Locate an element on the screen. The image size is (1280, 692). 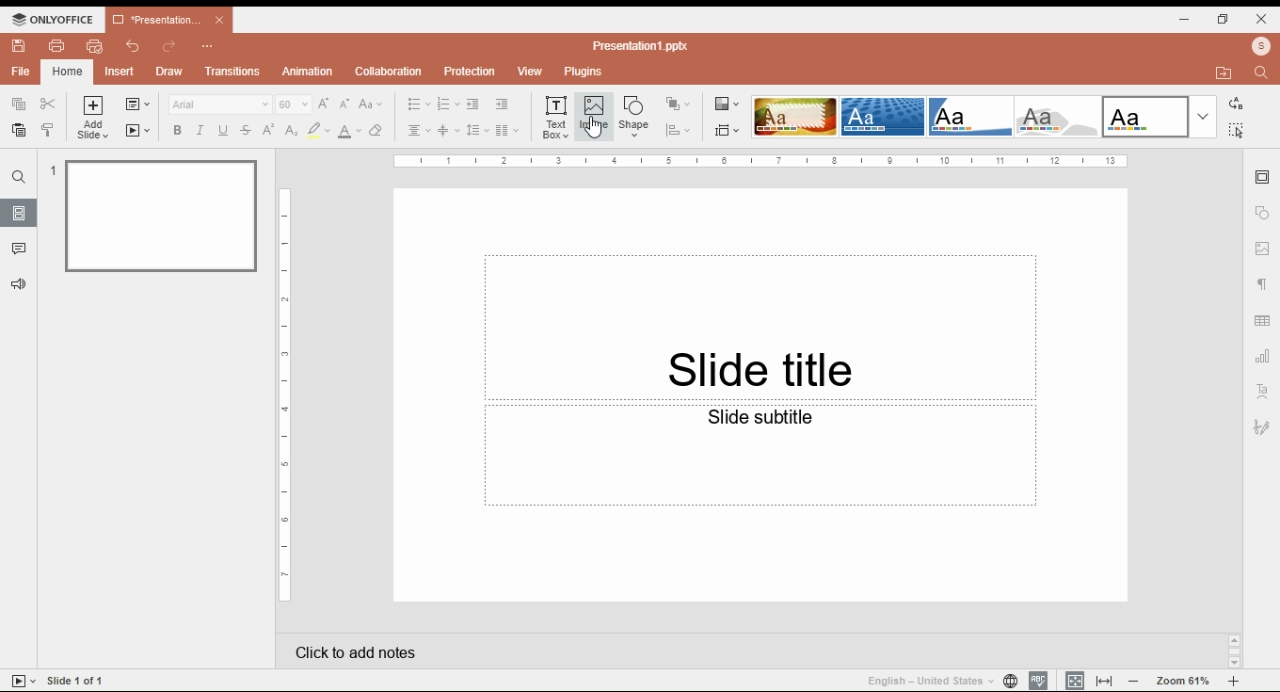
copy is located at coordinates (18, 104).